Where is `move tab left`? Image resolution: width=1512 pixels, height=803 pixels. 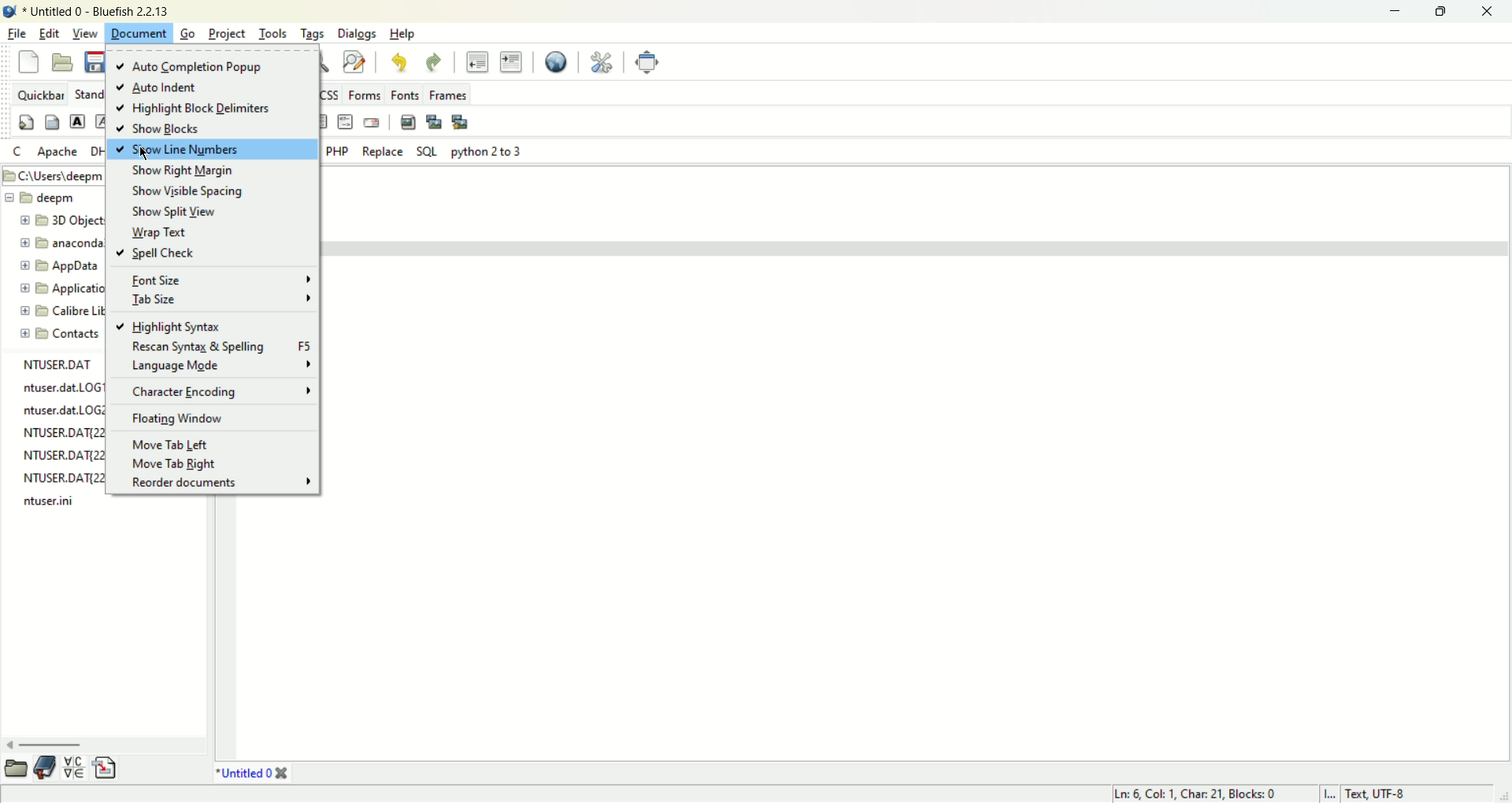
move tab left is located at coordinates (172, 443).